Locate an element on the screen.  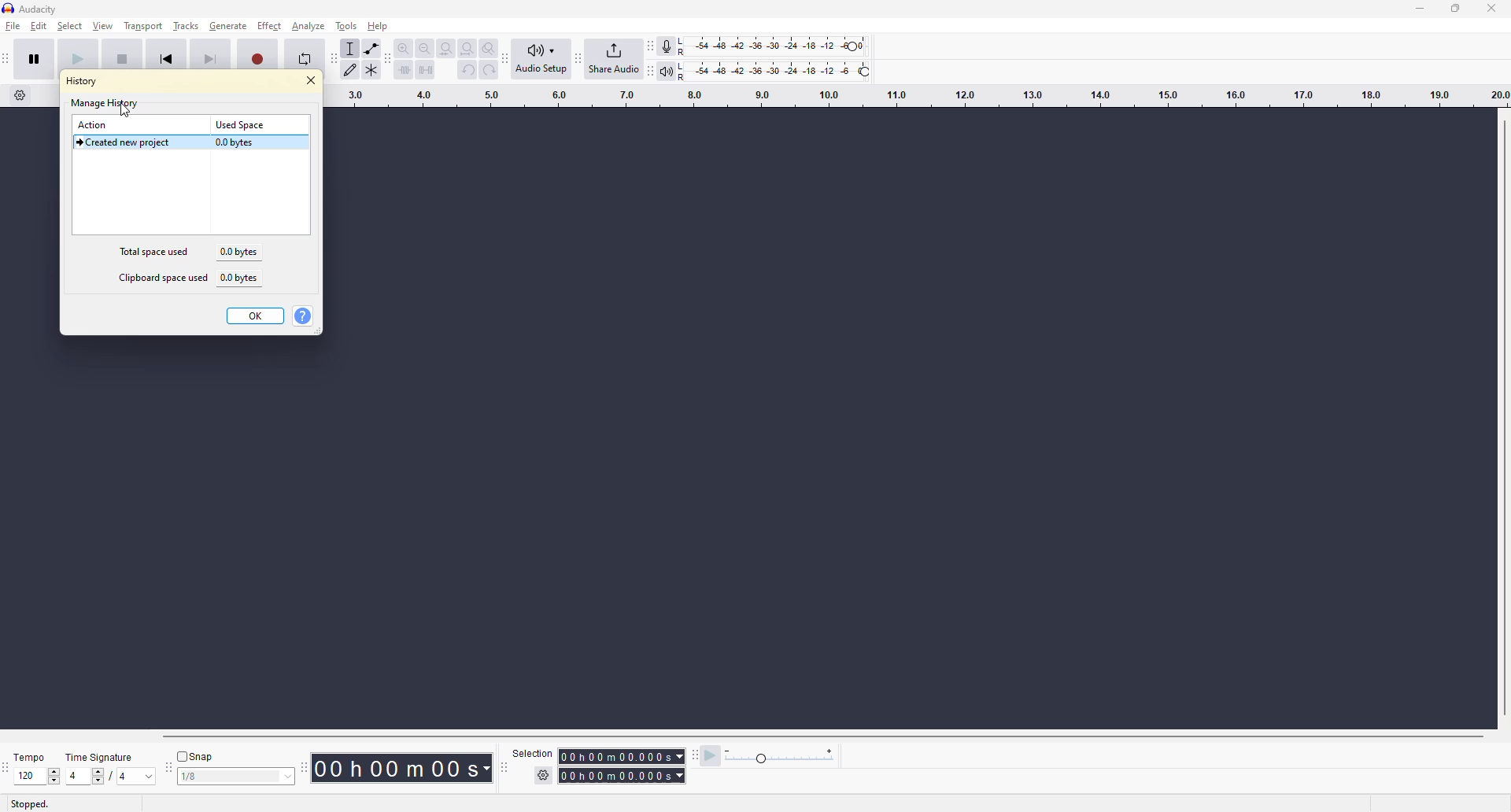
audacity transport toolbar is located at coordinates (8, 61).